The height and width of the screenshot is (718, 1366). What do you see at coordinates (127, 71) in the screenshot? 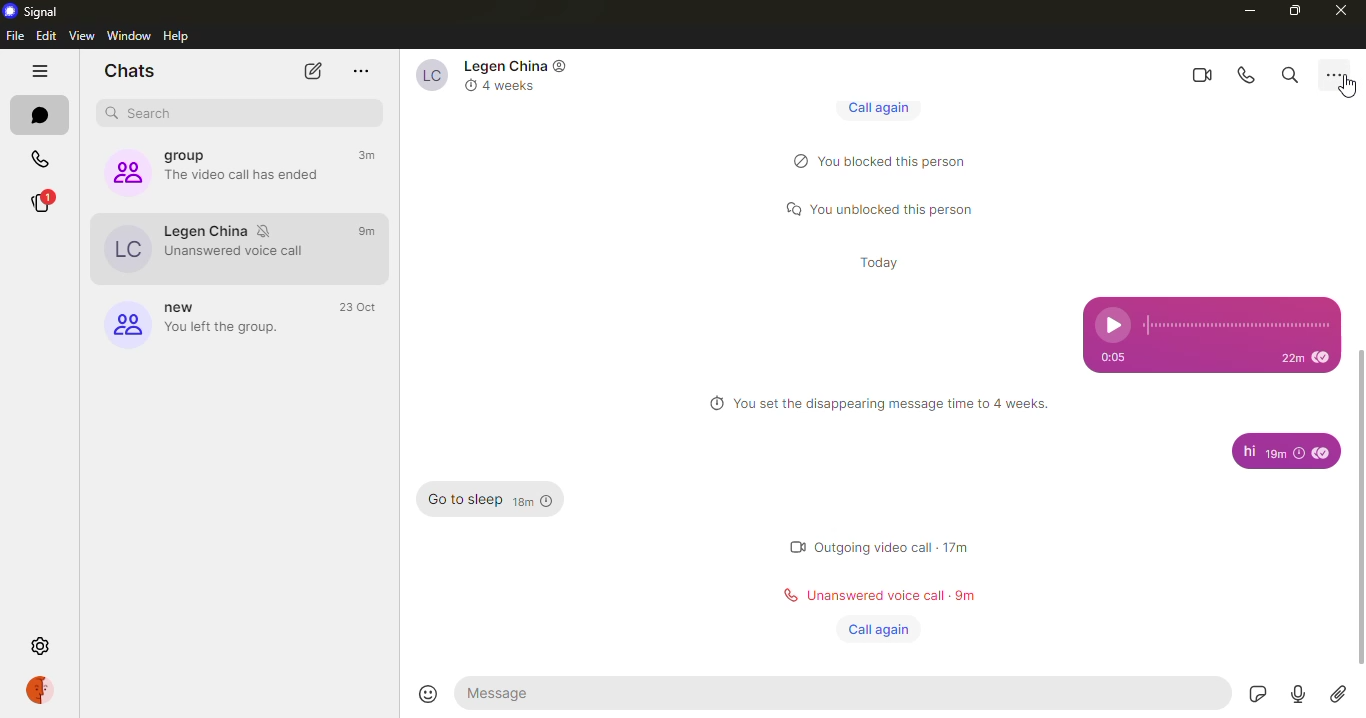
I see `chats` at bounding box center [127, 71].